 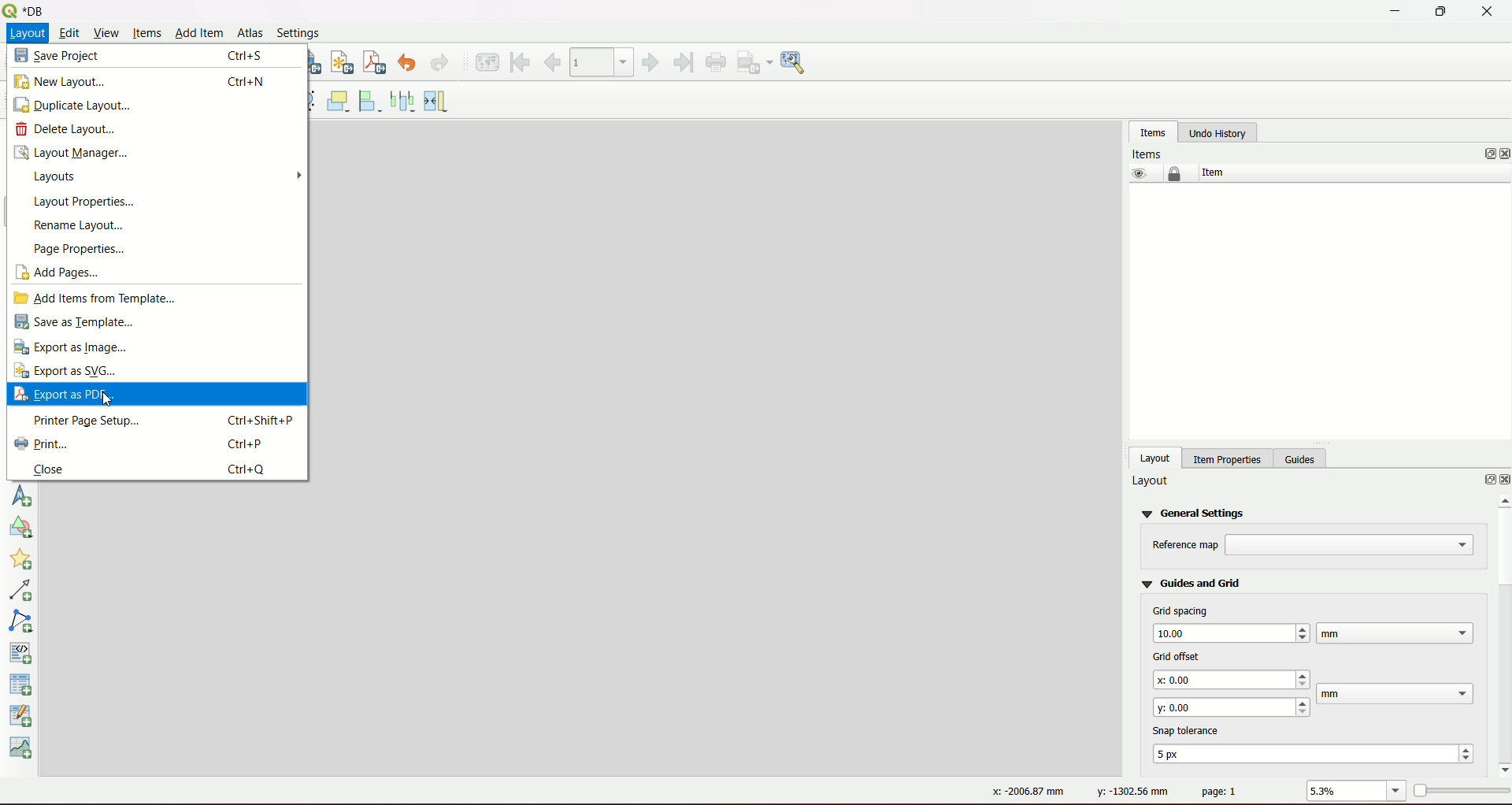 I want to click on add HTML, so click(x=23, y=651).